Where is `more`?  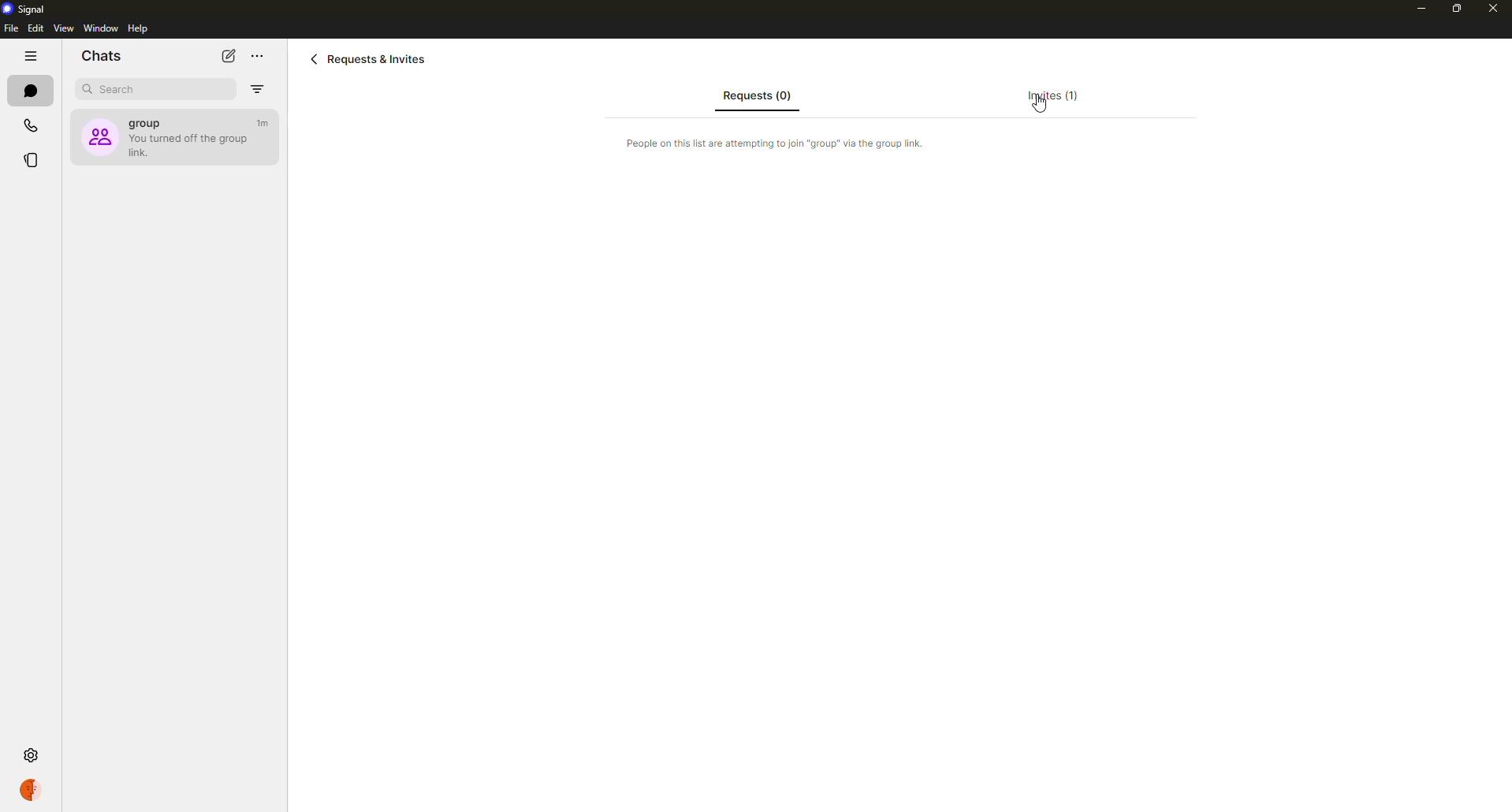
more is located at coordinates (258, 56).